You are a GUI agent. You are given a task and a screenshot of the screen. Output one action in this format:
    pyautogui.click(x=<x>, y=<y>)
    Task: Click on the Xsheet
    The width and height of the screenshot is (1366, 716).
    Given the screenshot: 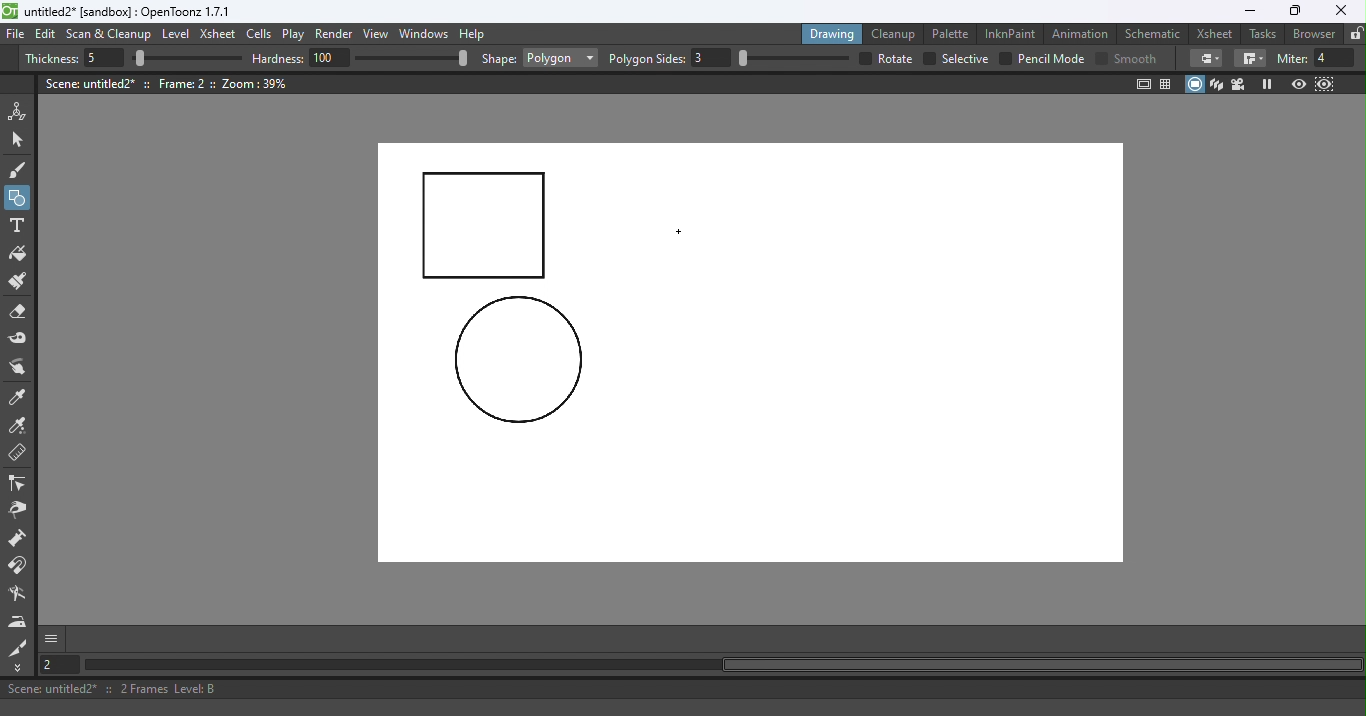 What is the action you would take?
    pyautogui.click(x=220, y=36)
    